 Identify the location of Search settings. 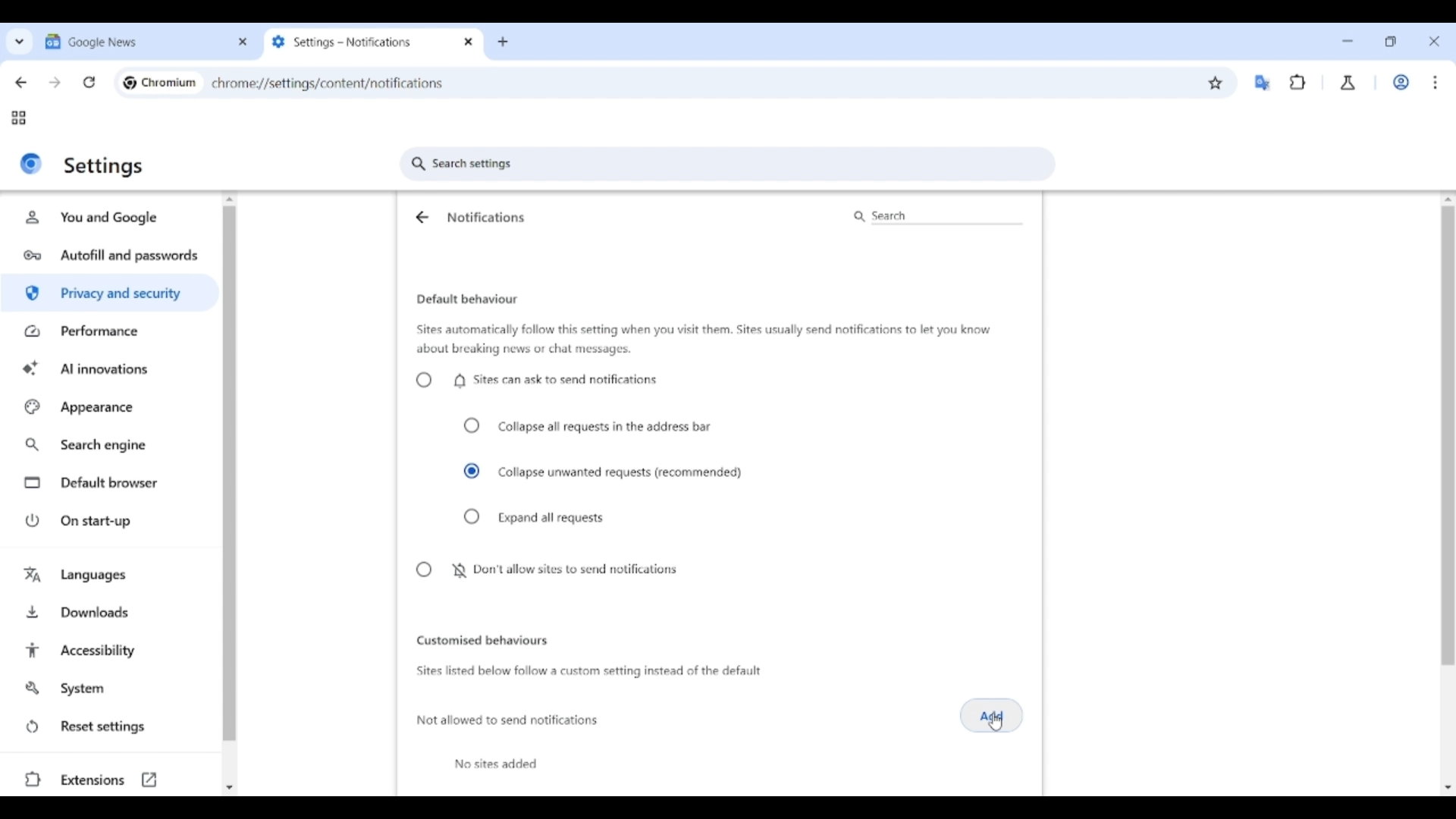
(728, 164).